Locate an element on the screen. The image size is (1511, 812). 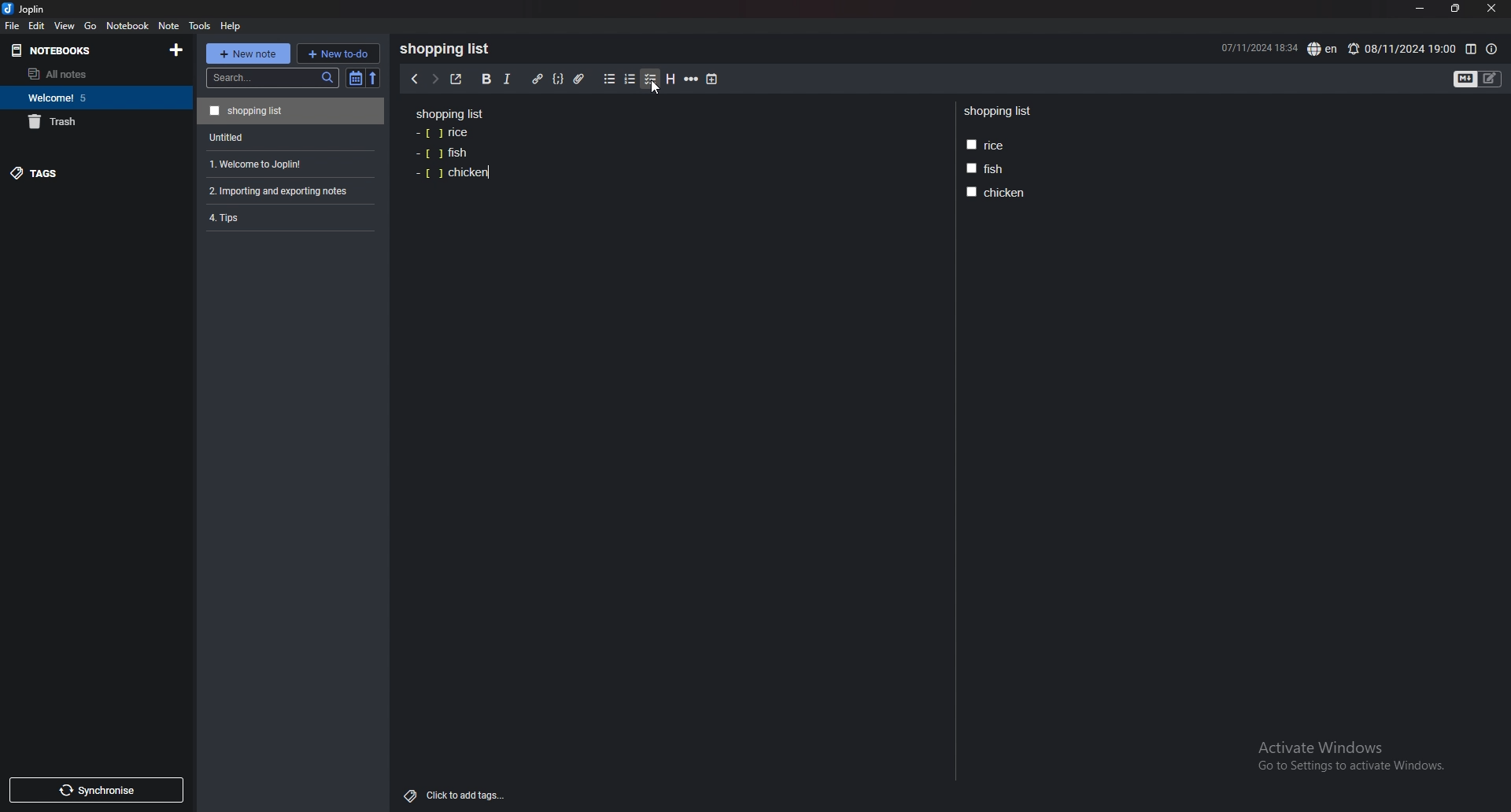
2. Importing and exporting notes. is located at coordinates (289, 189).